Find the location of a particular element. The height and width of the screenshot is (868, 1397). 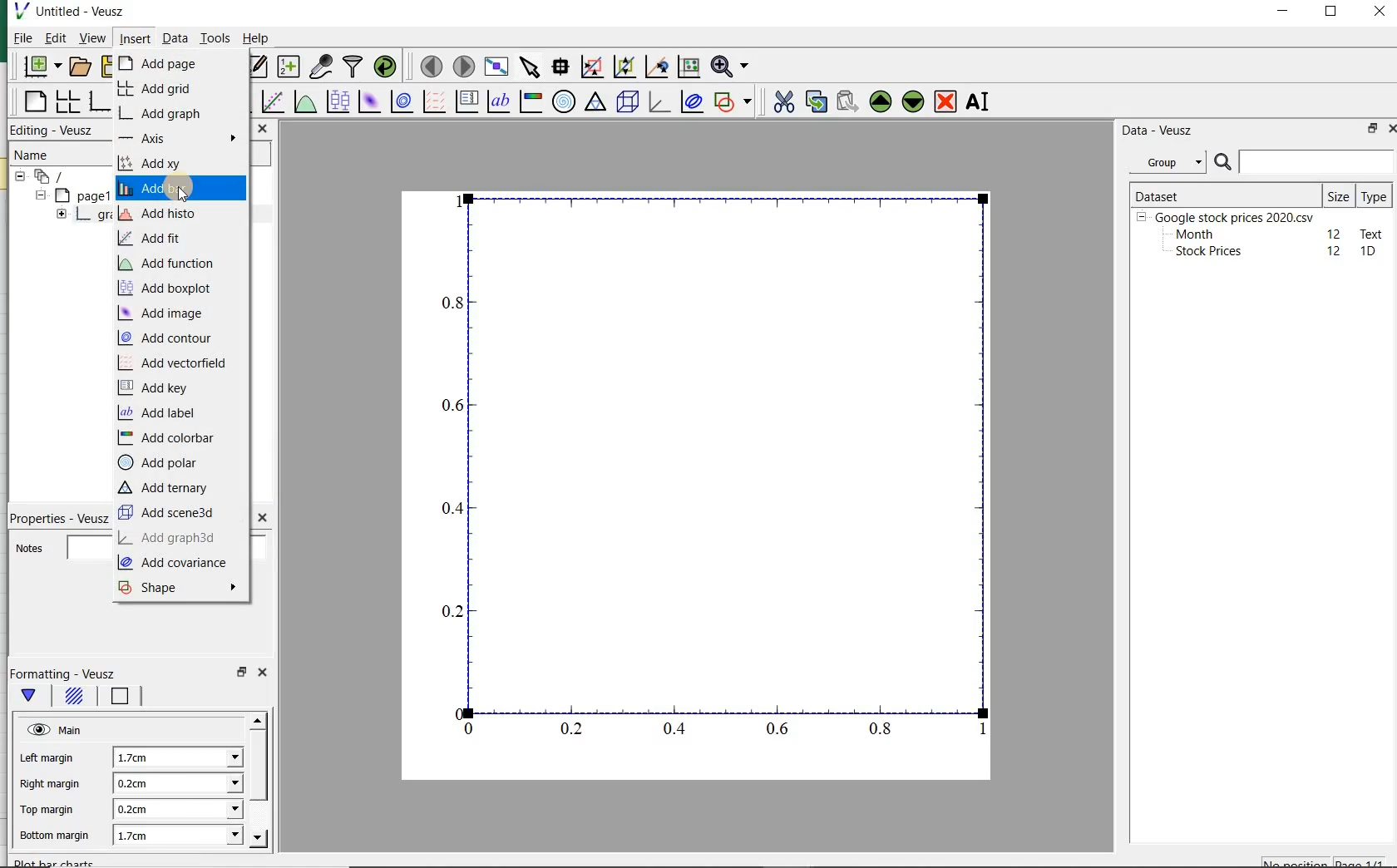

reload linked datasets is located at coordinates (388, 67).